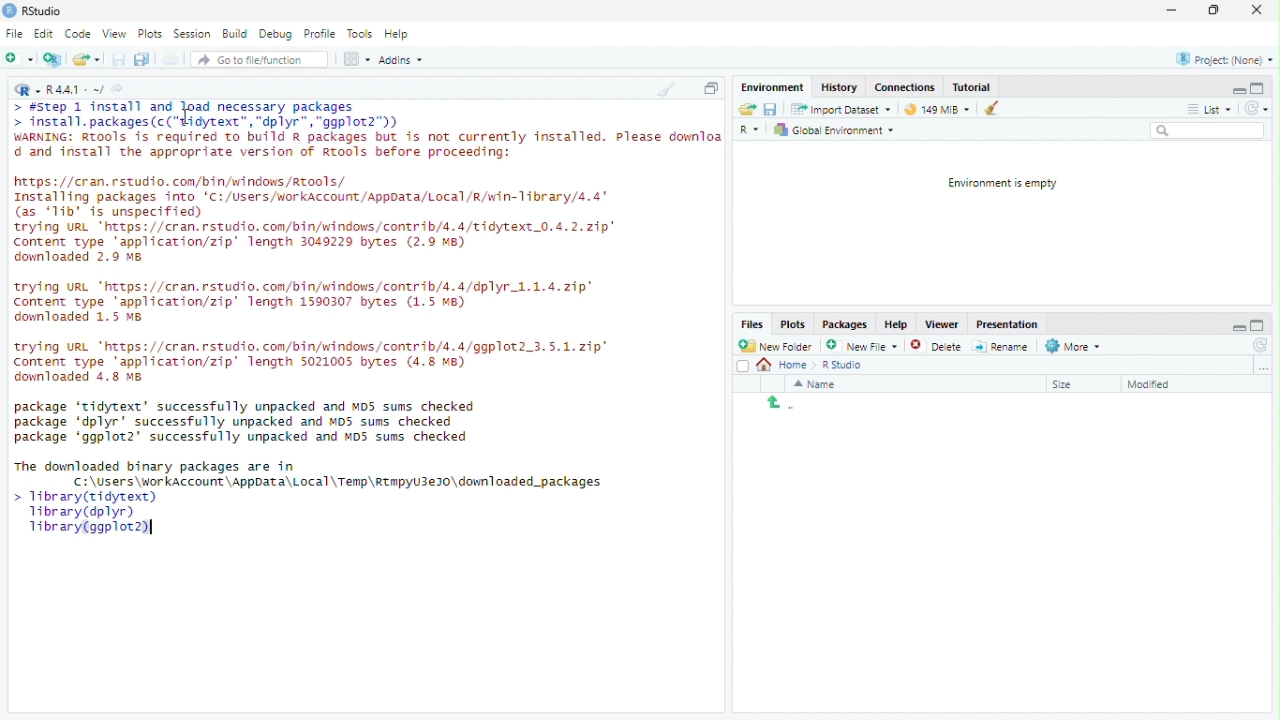  What do you see at coordinates (1065, 385) in the screenshot?
I see `Size` at bounding box center [1065, 385].